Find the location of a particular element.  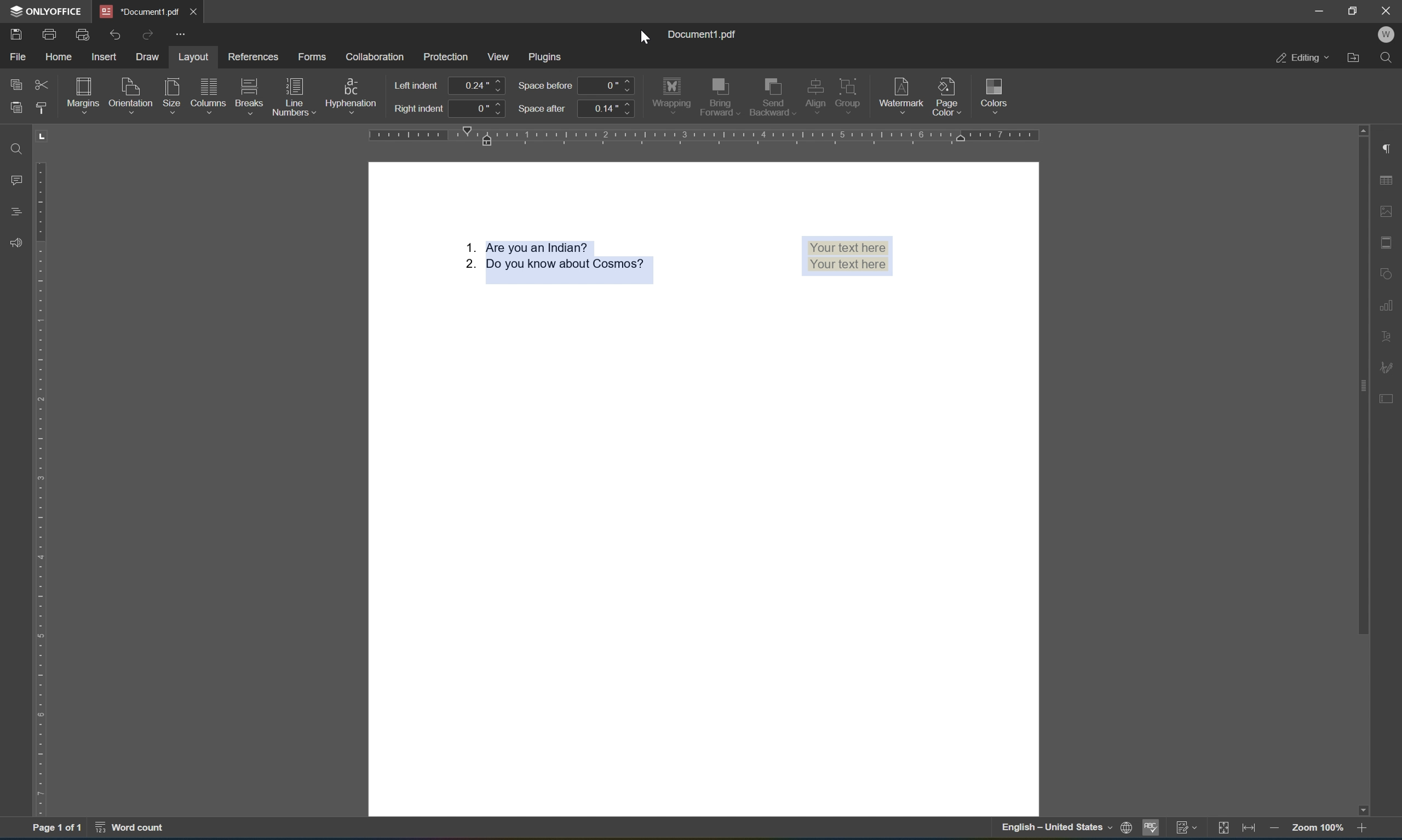

track changes is located at coordinates (1187, 830).